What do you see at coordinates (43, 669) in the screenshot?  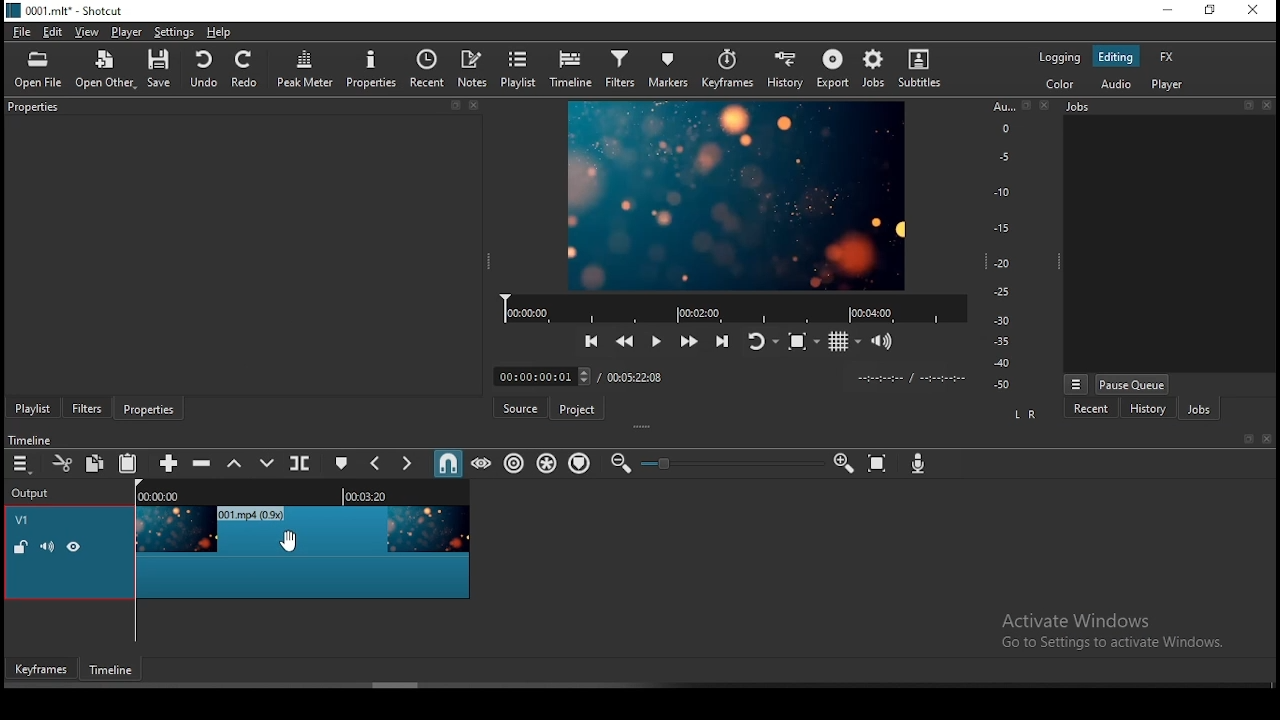 I see `keyframes` at bounding box center [43, 669].